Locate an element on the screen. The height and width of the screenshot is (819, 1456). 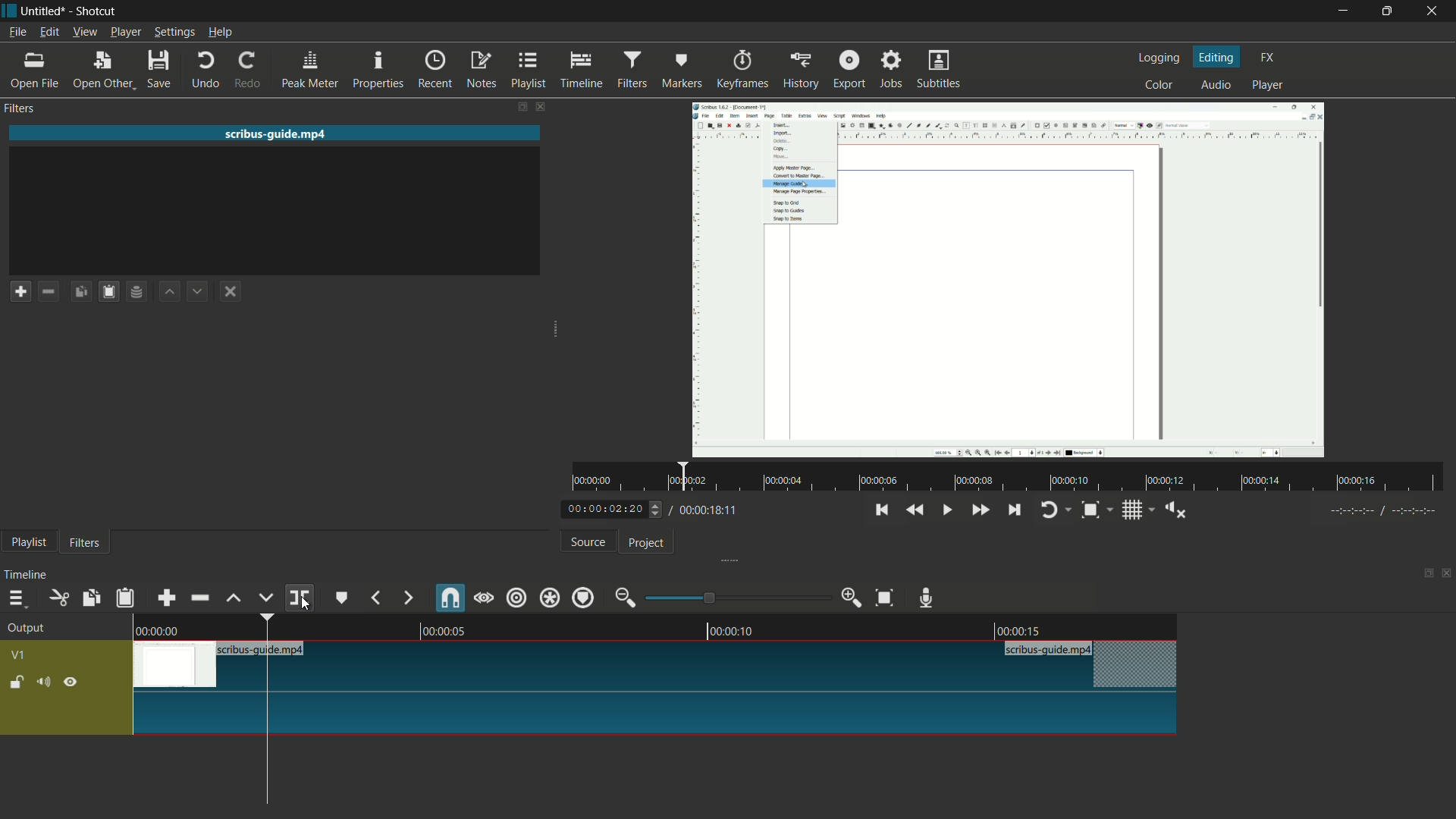
recent is located at coordinates (436, 70).